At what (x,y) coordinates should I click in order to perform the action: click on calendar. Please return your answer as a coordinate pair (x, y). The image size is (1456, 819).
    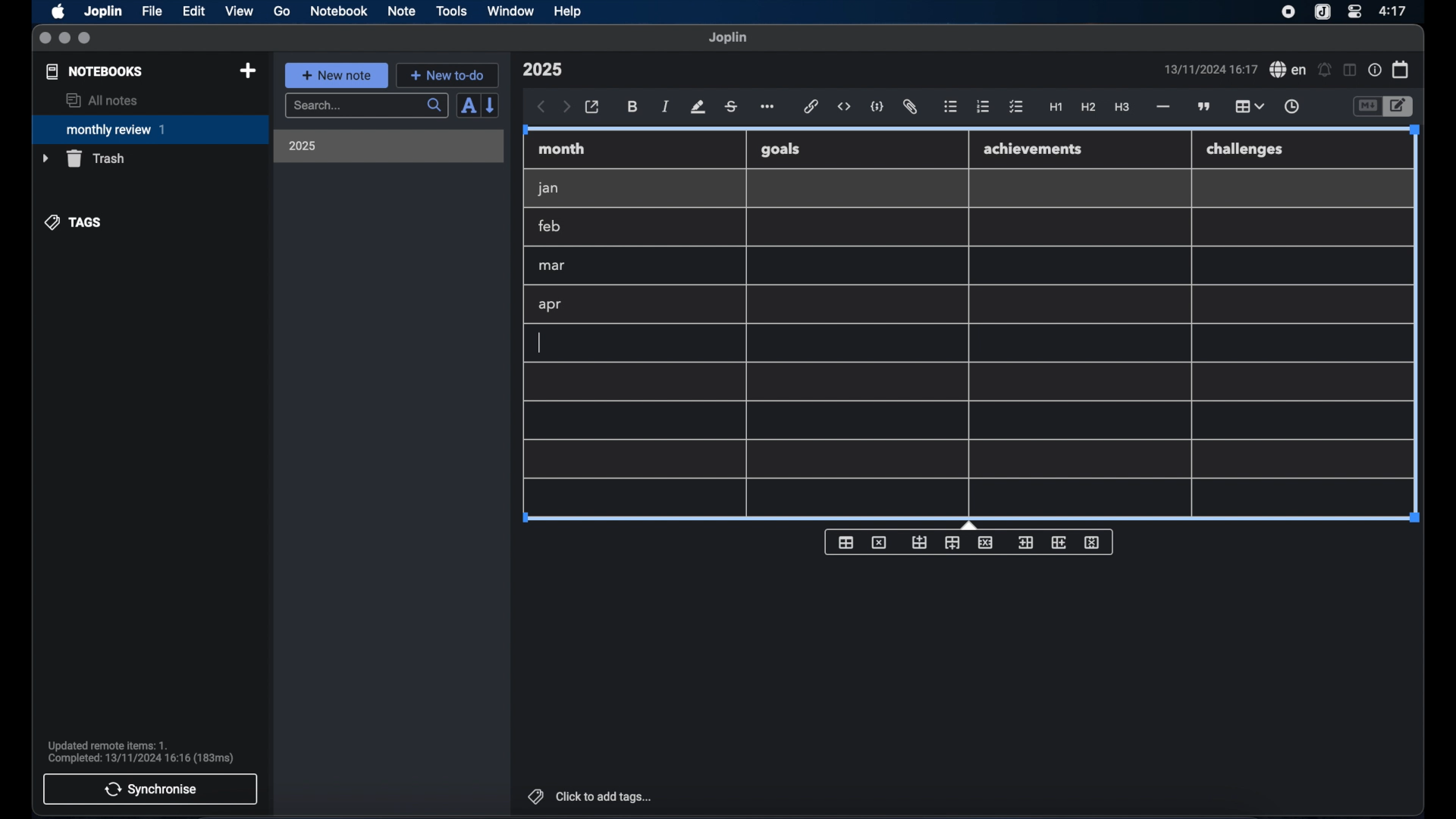
    Looking at the image, I should click on (1401, 69).